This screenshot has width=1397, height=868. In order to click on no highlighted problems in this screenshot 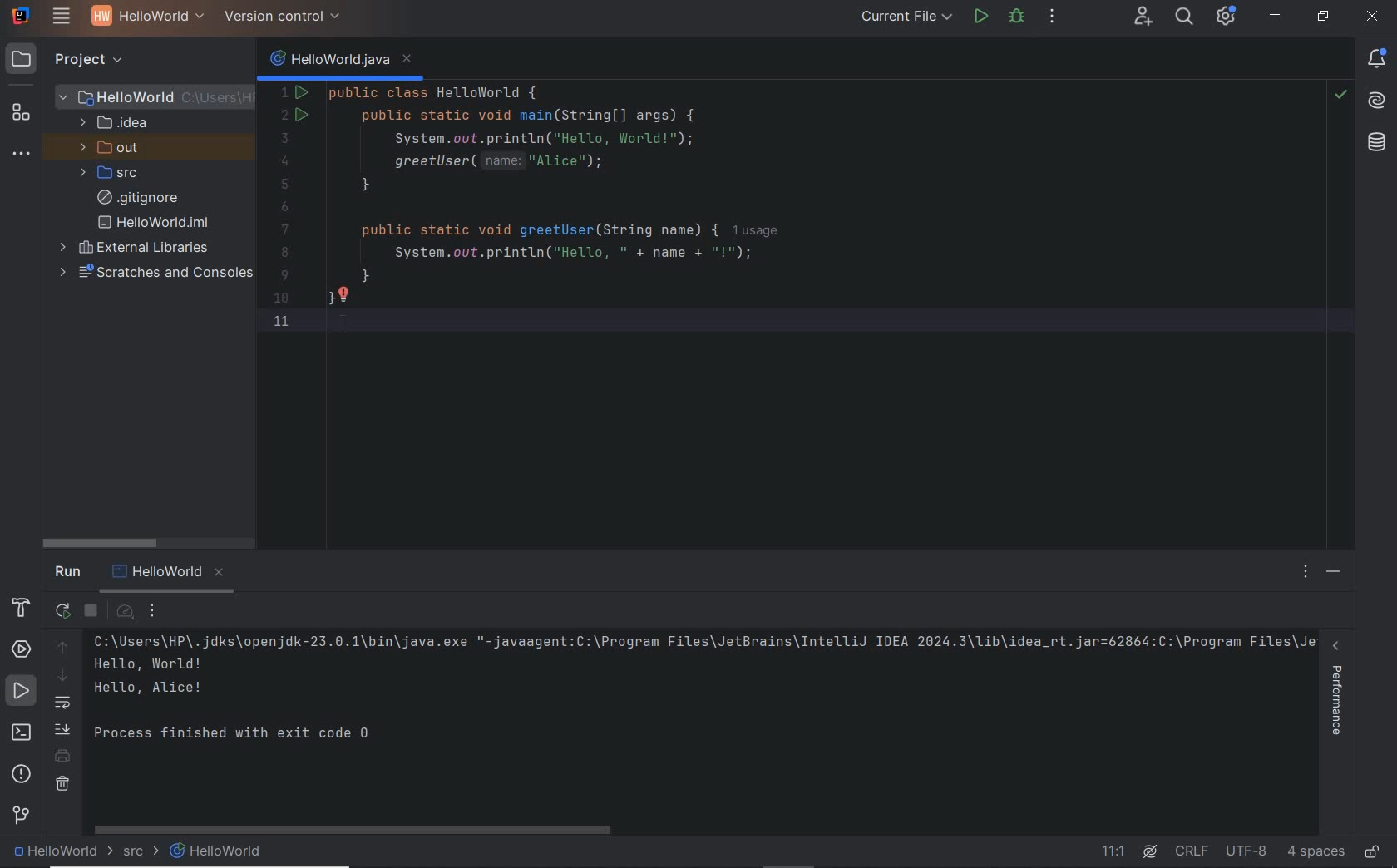, I will do `click(1339, 95)`.